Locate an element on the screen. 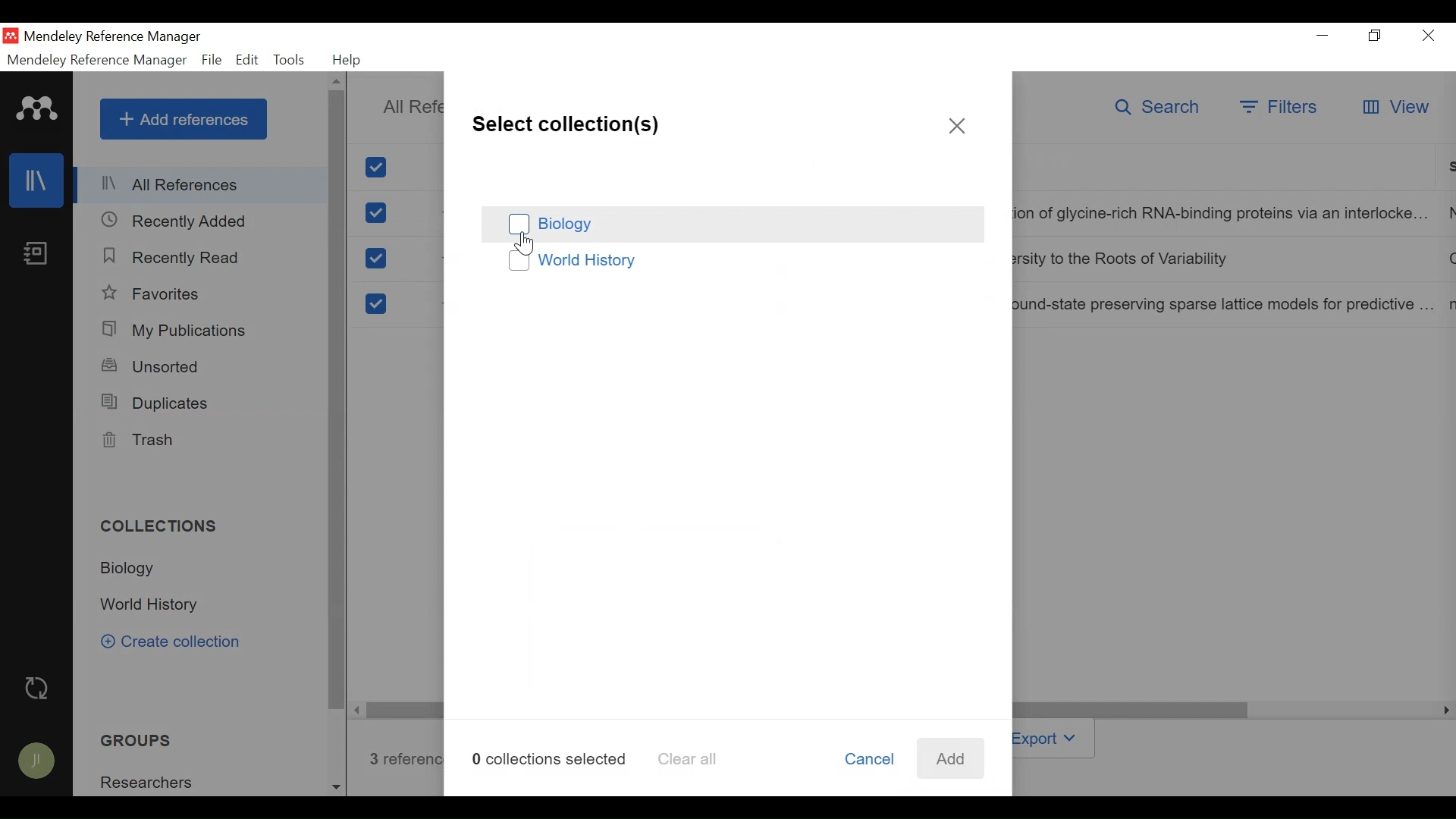 This screenshot has width=1456, height=819. Recently Read is located at coordinates (175, 258).